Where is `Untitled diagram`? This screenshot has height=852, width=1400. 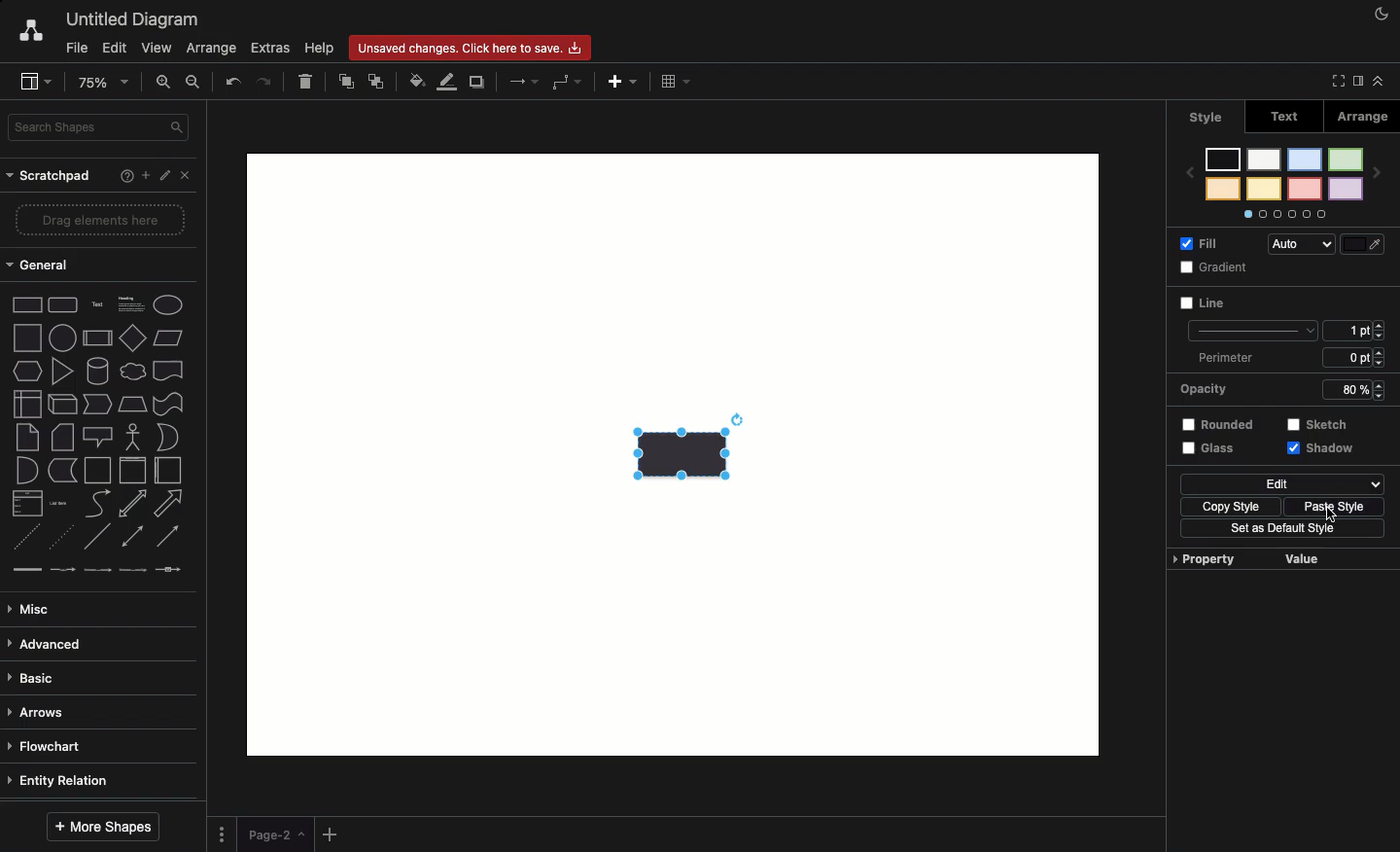
Untitled diagram is located at coordinates (131, 20).